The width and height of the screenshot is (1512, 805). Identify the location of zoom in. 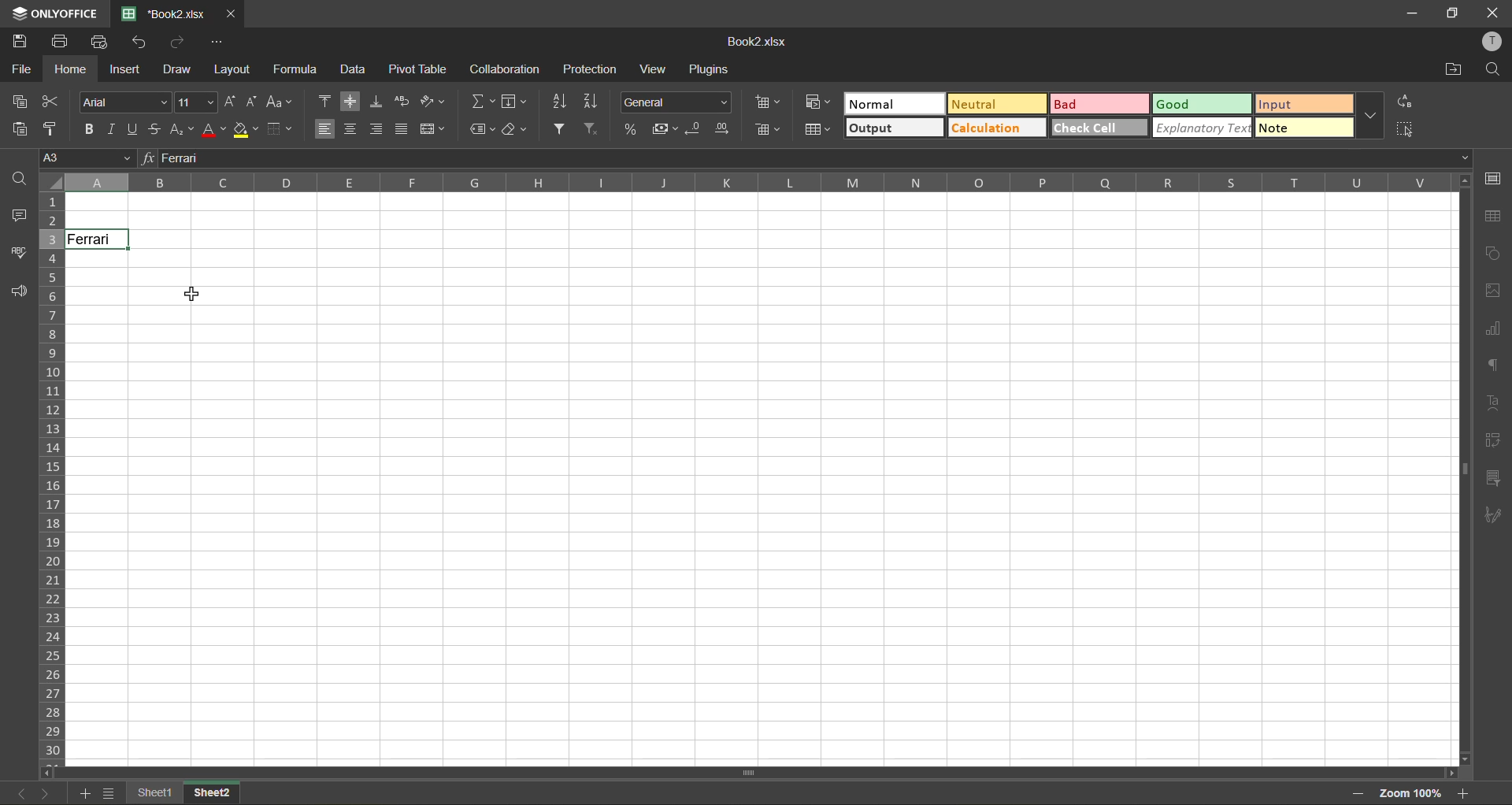
(1458, 793).